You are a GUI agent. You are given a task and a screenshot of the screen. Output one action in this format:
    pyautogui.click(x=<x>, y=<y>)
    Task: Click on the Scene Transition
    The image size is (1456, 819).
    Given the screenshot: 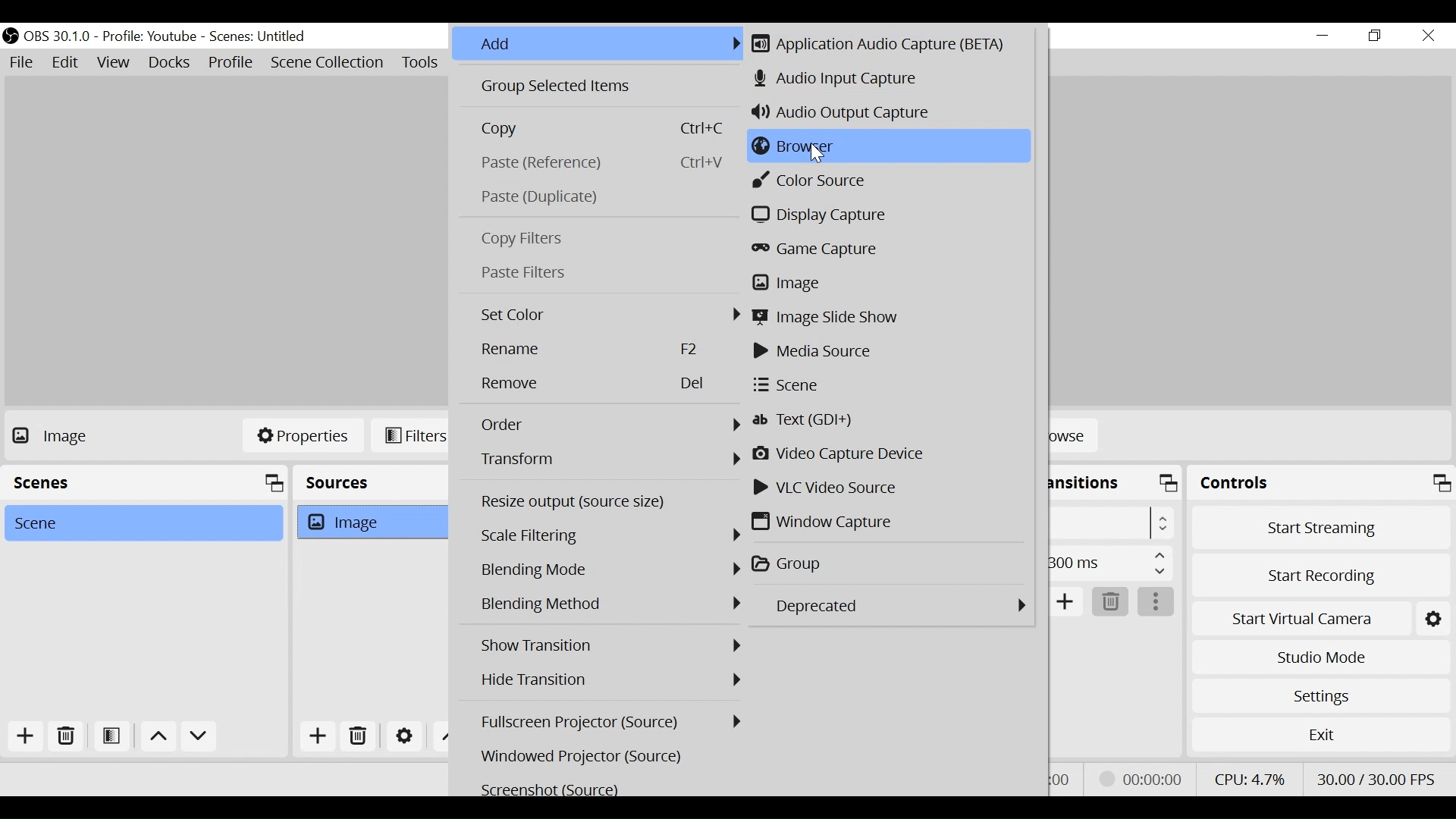 What is the action you would take?
    pyautogui.click(x=1117, y=482)
    